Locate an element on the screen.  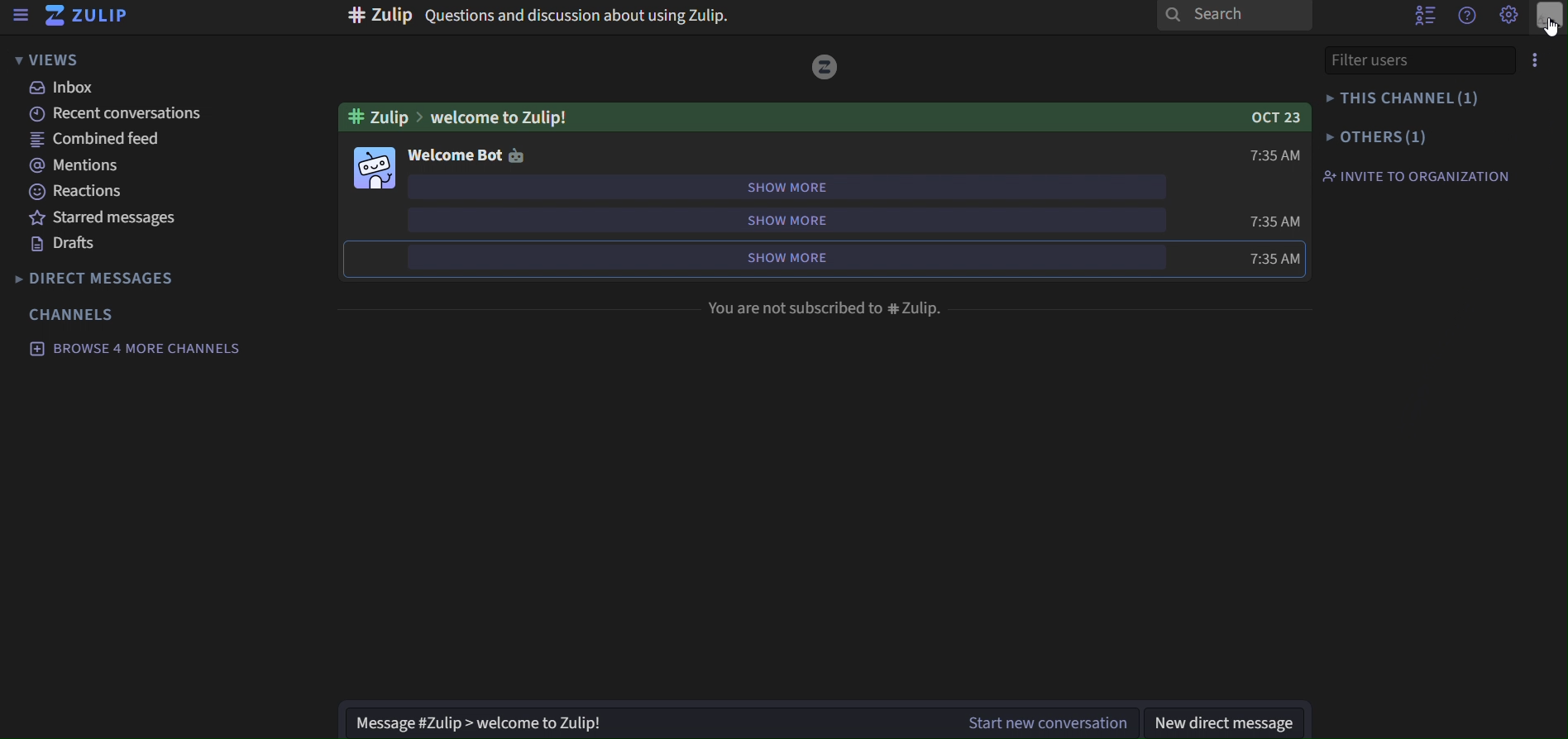
Questions and discussions about Zulip is located at coordinates (541, 16).